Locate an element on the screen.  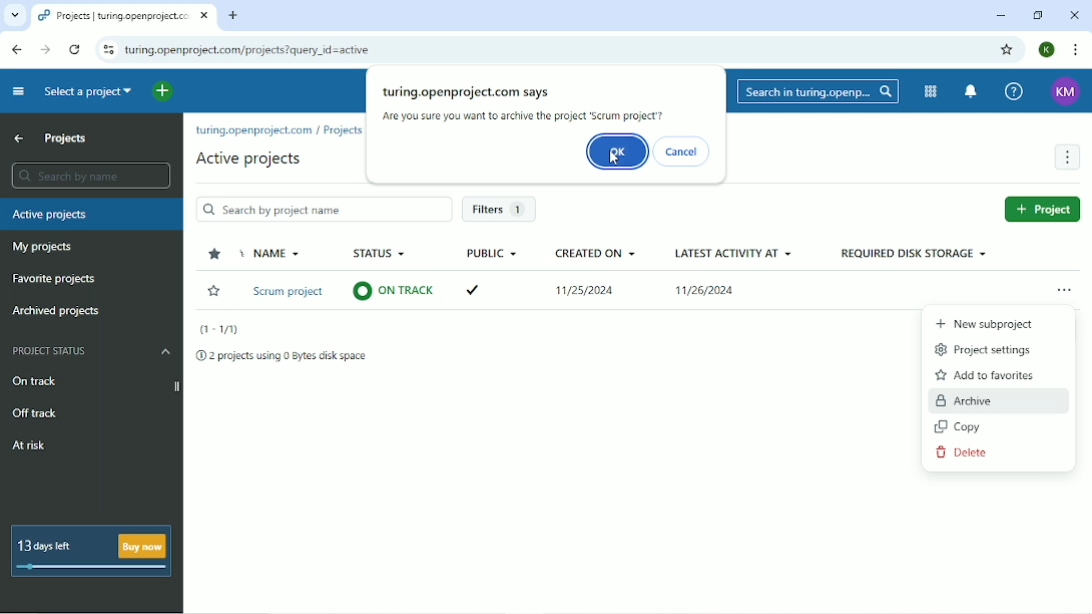
Modules is located at coordinates (931, 91).